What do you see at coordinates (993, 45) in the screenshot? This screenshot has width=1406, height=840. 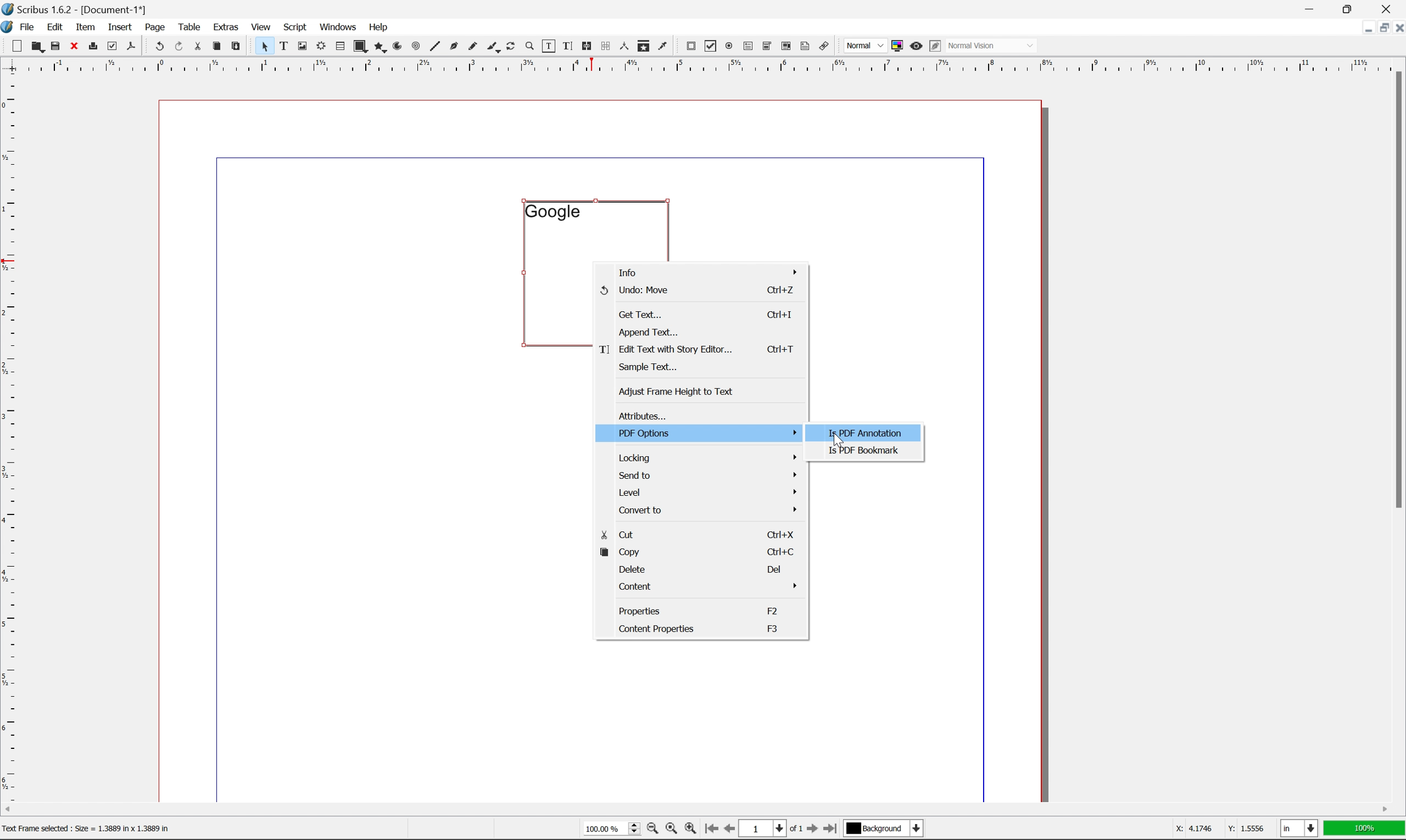 I see `normal vision` at bounding box center [993, 45].